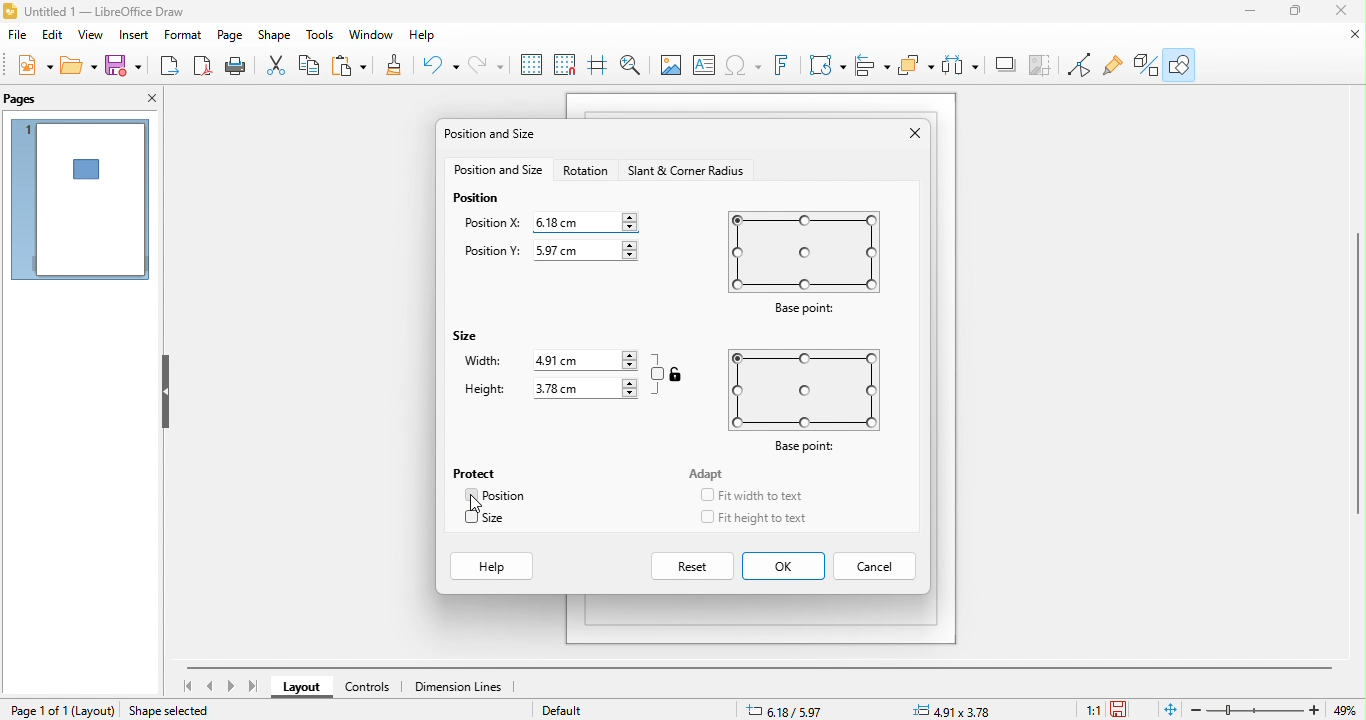  Describe the element at coordinates (1045, 66) in the screenshot. I see `toggle point edit mode` at that location.